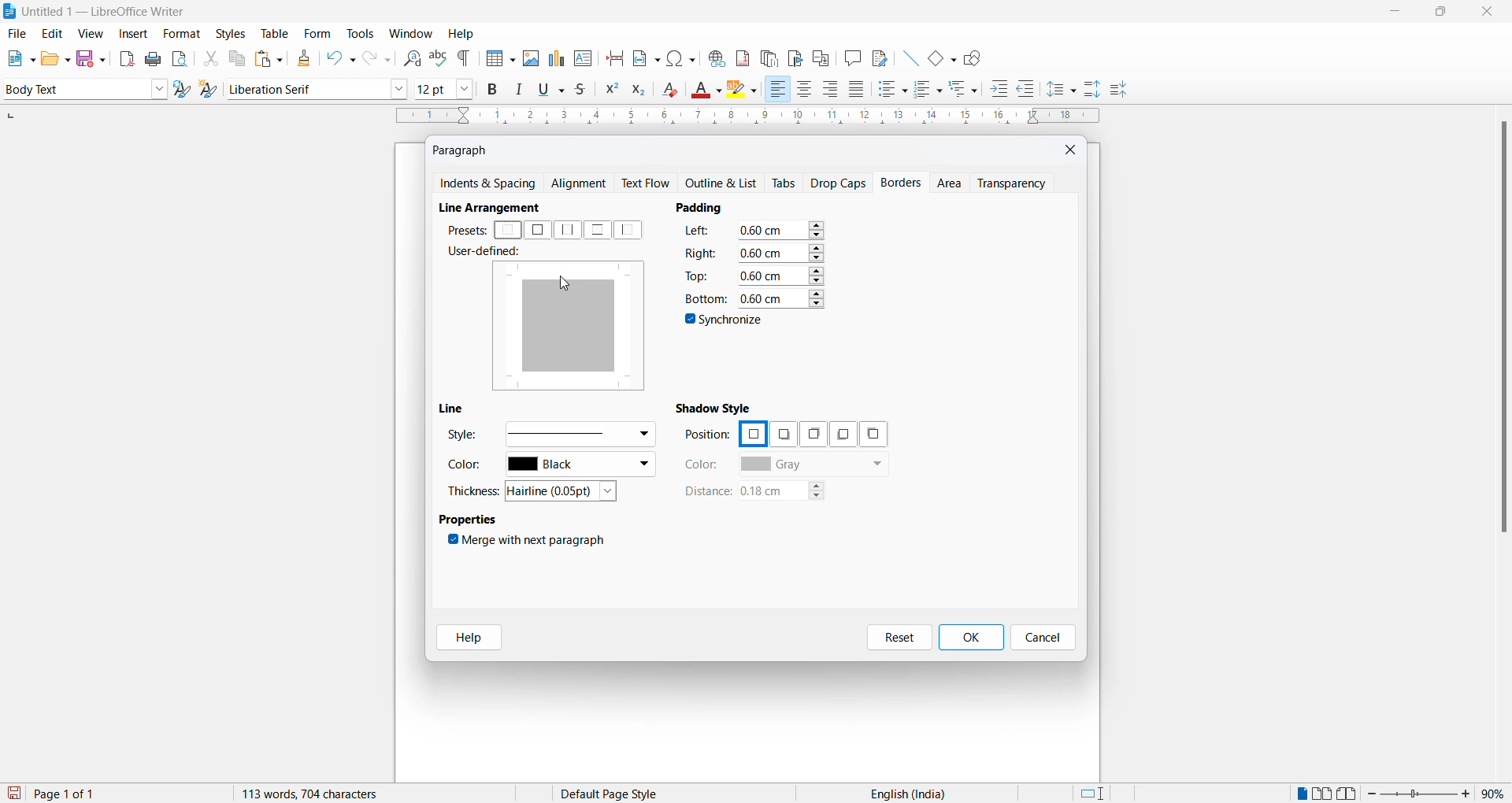  I want to click on value, so click(780, 297).